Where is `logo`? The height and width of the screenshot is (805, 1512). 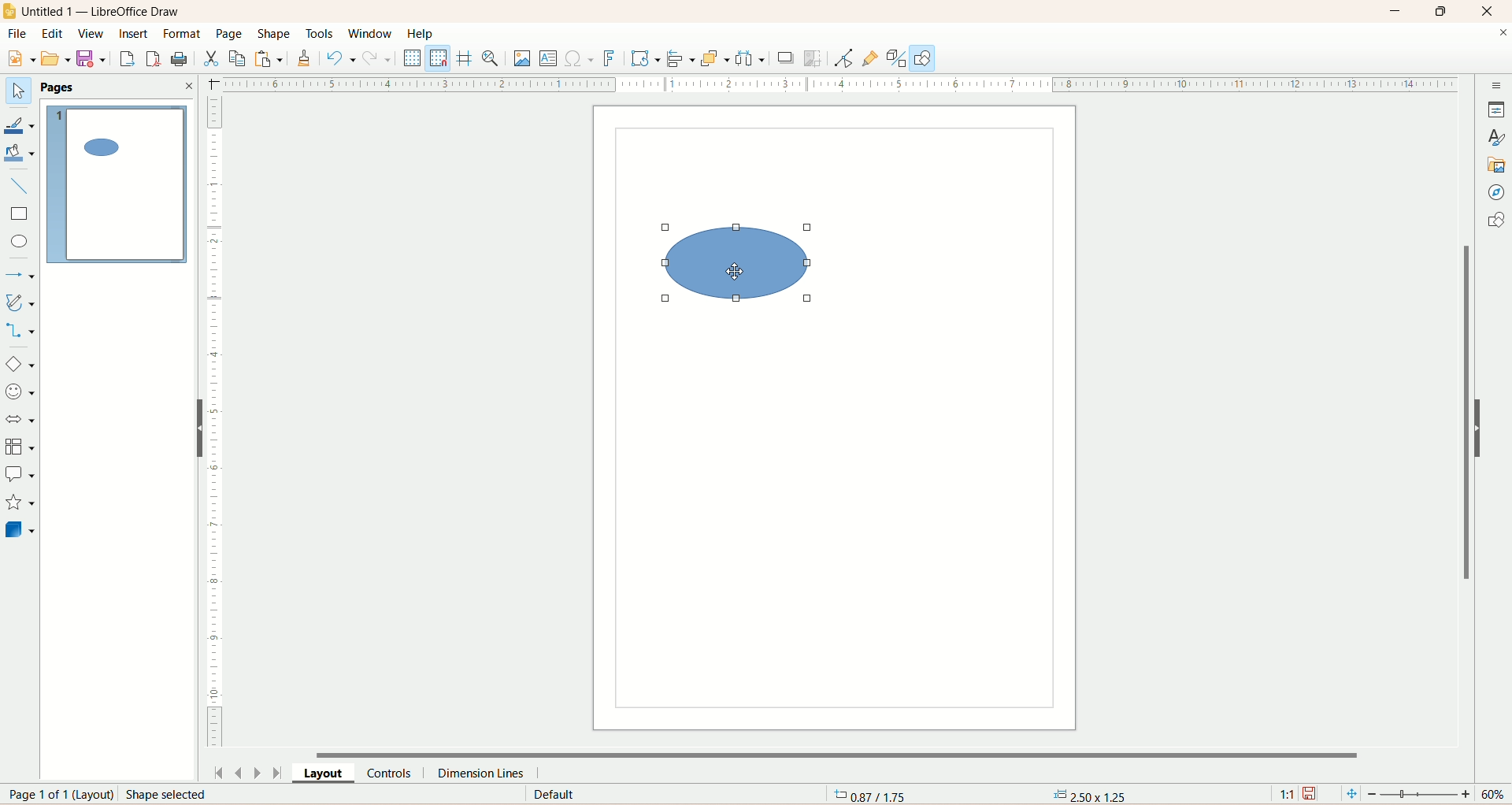
logo is located at coordinates (10, 10).